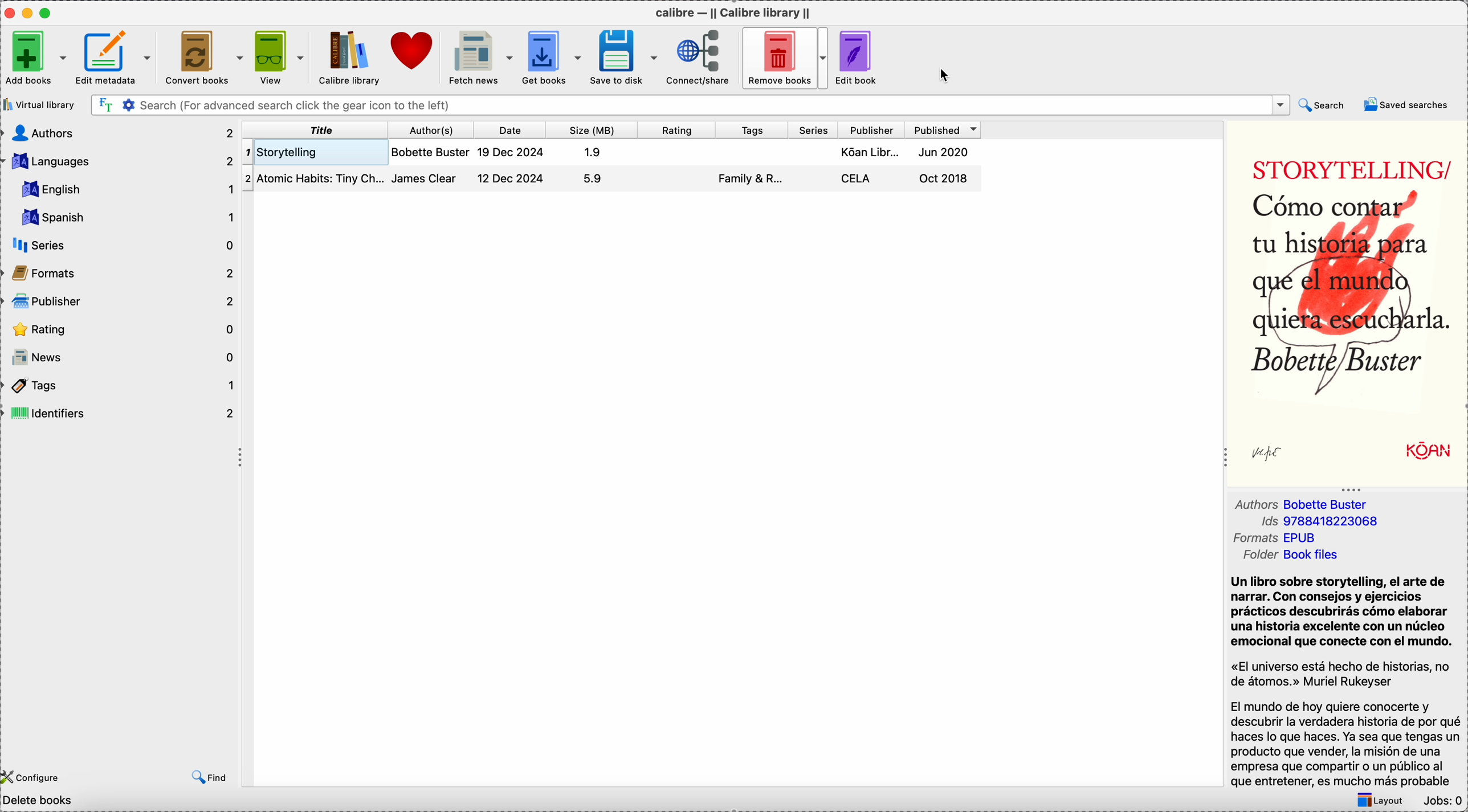 The height and width of the screenshot is (812, 1468). What do you see at coordinates (814, 129) in the screenshot?
I see `series` at bounding box center [814, 129].